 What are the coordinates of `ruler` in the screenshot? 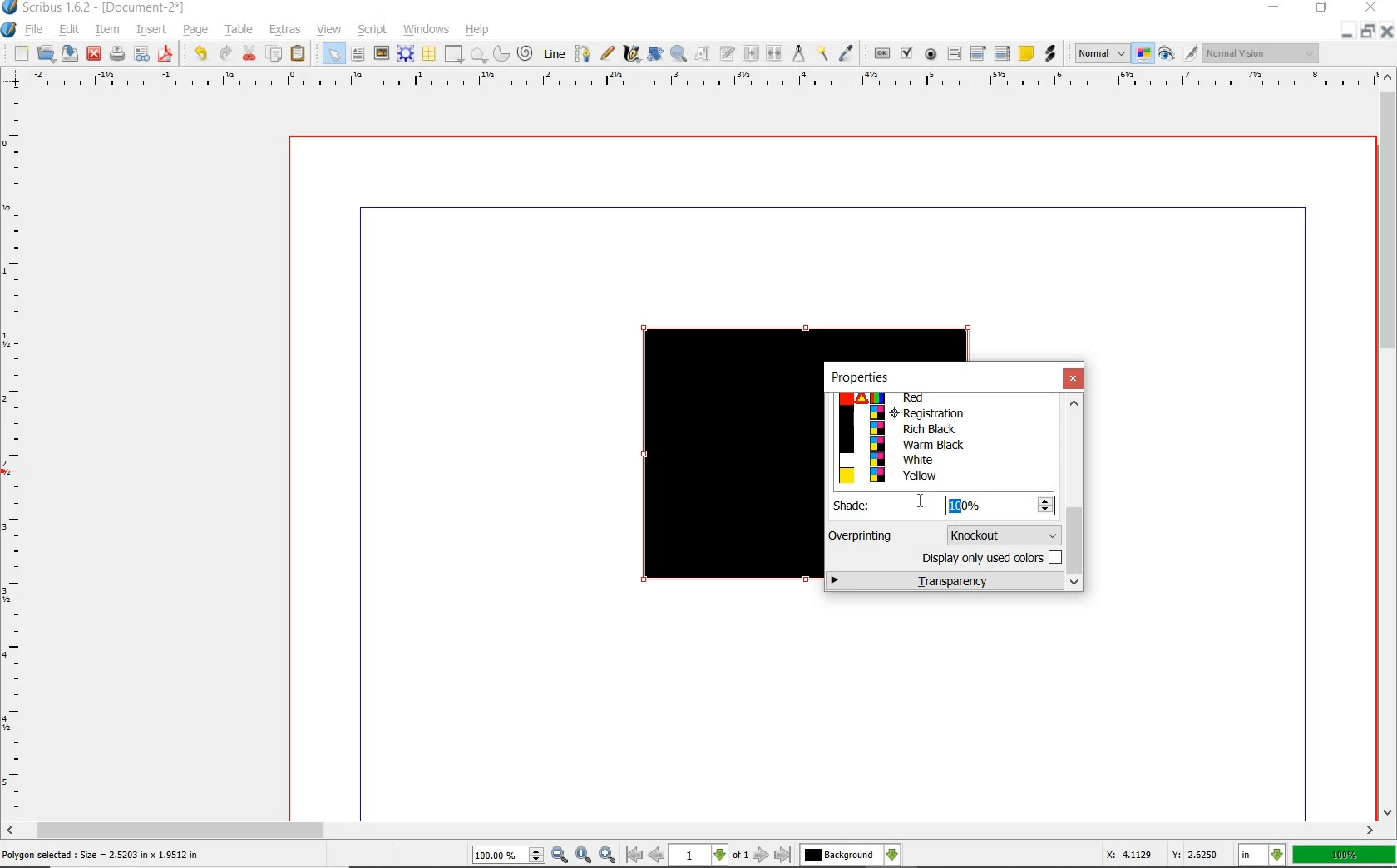 It's located at (696, 81).